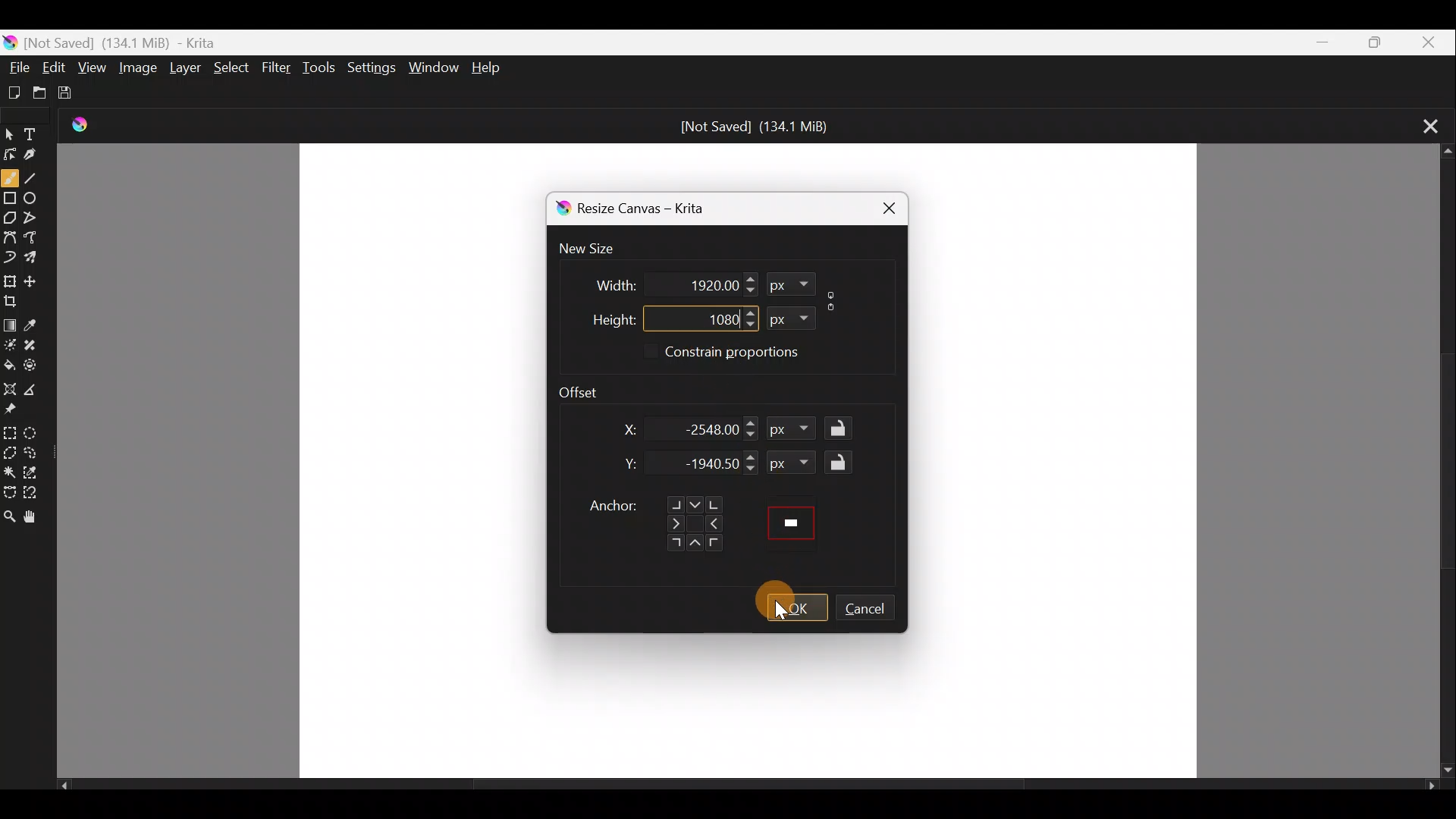 This screenshot has width=1456, height=819. I want to click on Elliptical selection tool, so click(36, 435).